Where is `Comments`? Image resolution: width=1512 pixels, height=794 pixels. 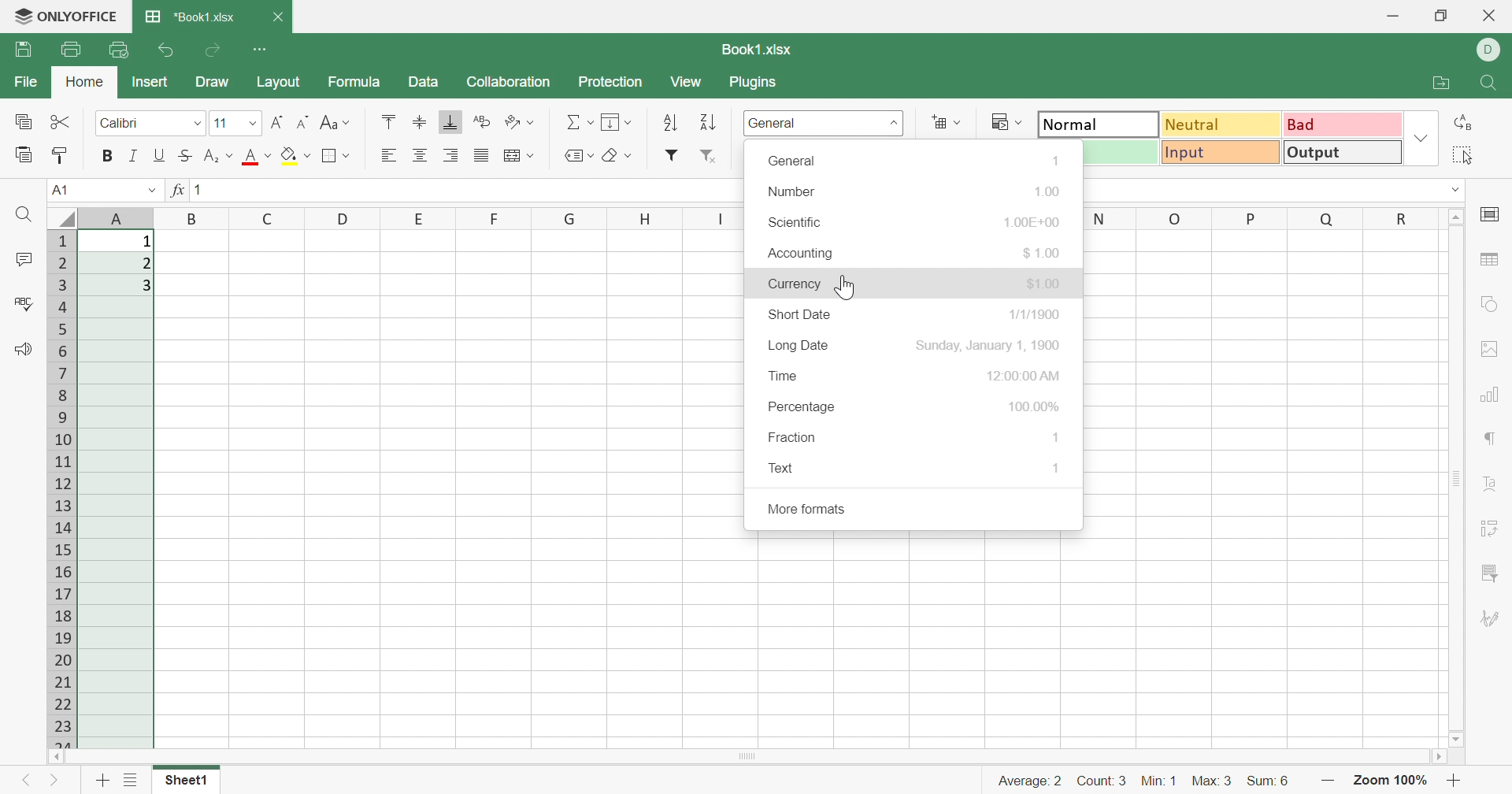
Comments is located at coordinates (27, 260).